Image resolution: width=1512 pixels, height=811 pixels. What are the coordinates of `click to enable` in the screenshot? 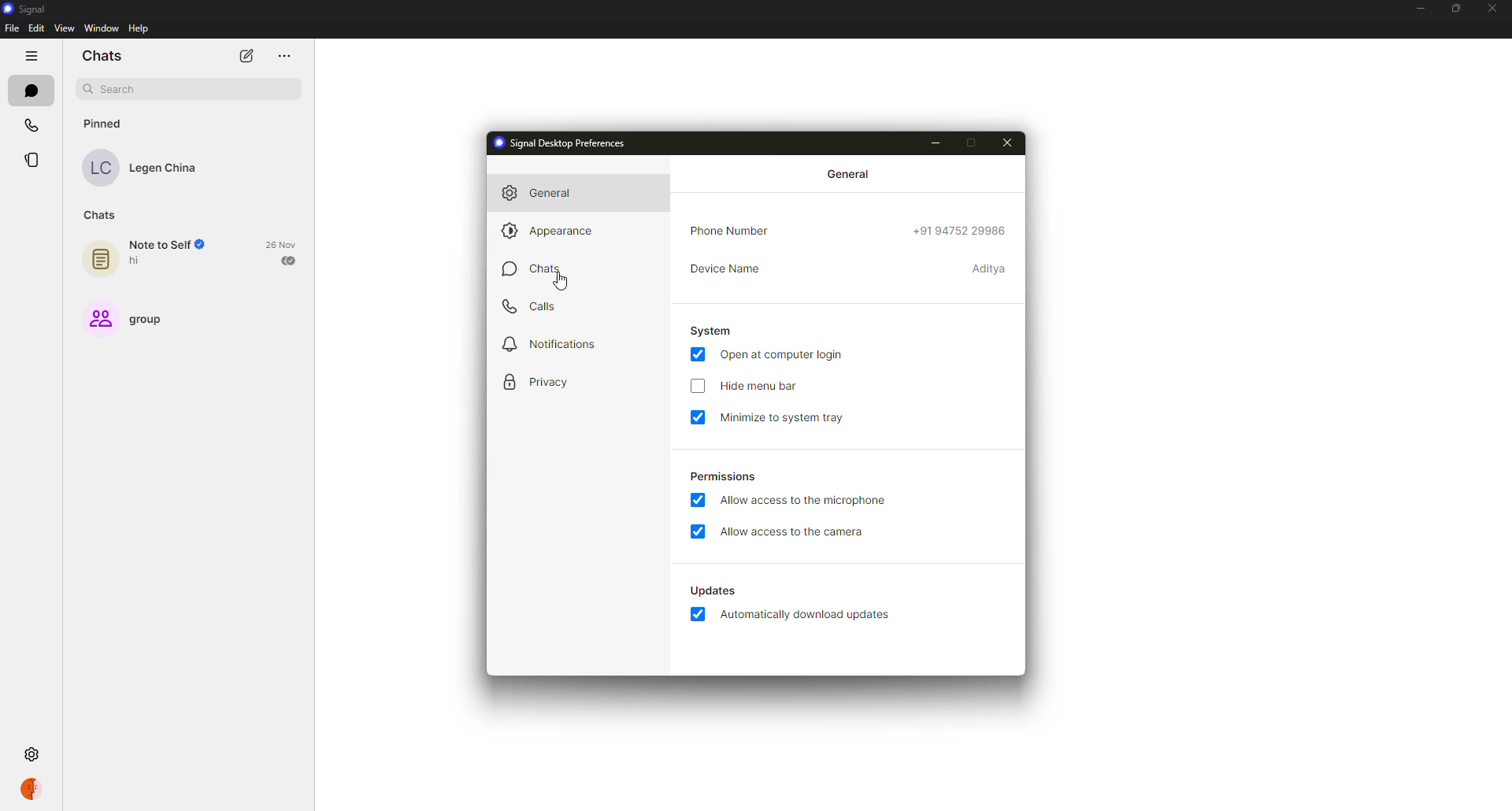 It's located at (695, 385).